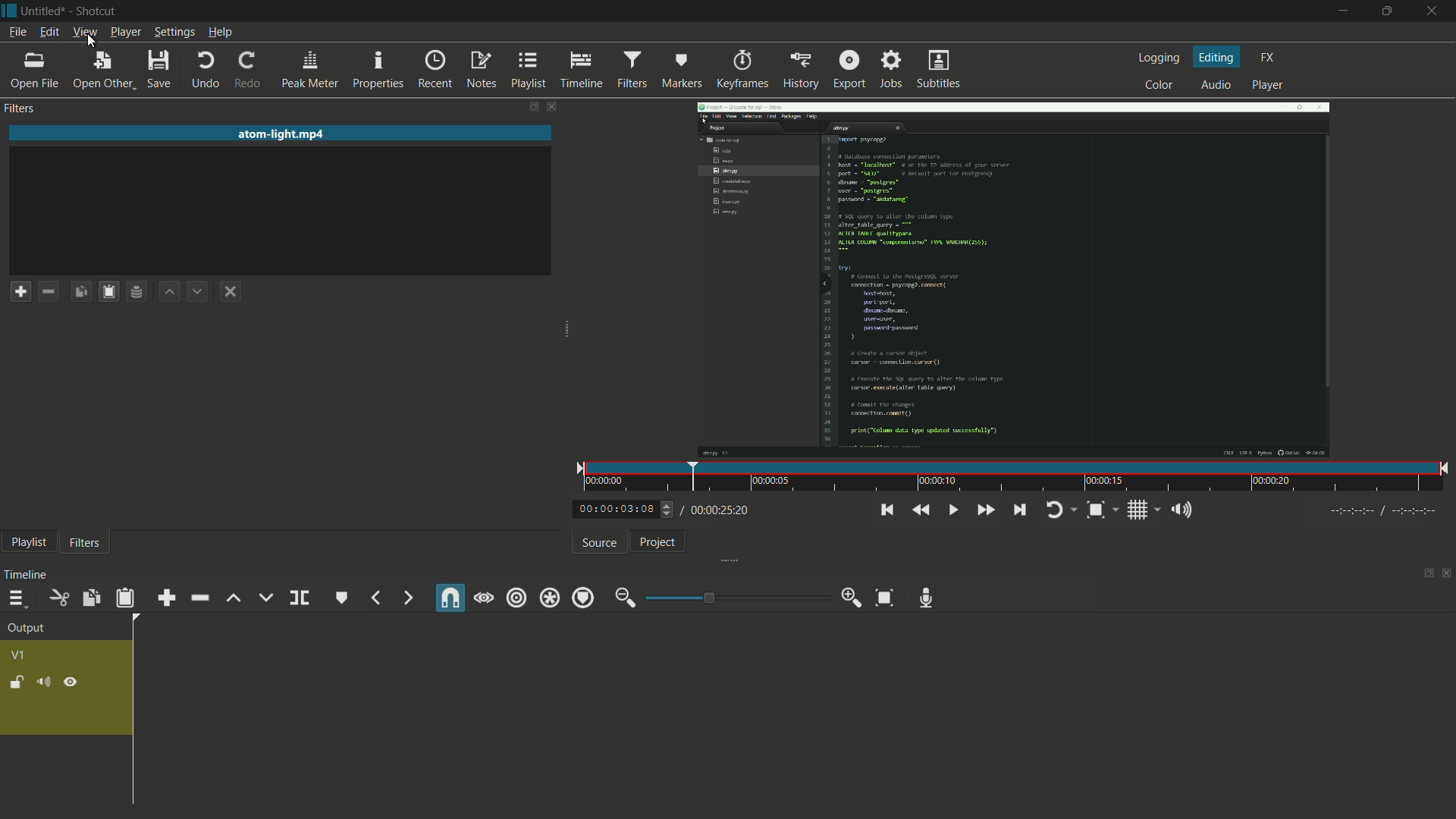 This screenshot has width=1456, height=819. What do you see at coordinates (986, 510) in the screenshot?
I see `quickly play forward` at bounding box center [986, 510].